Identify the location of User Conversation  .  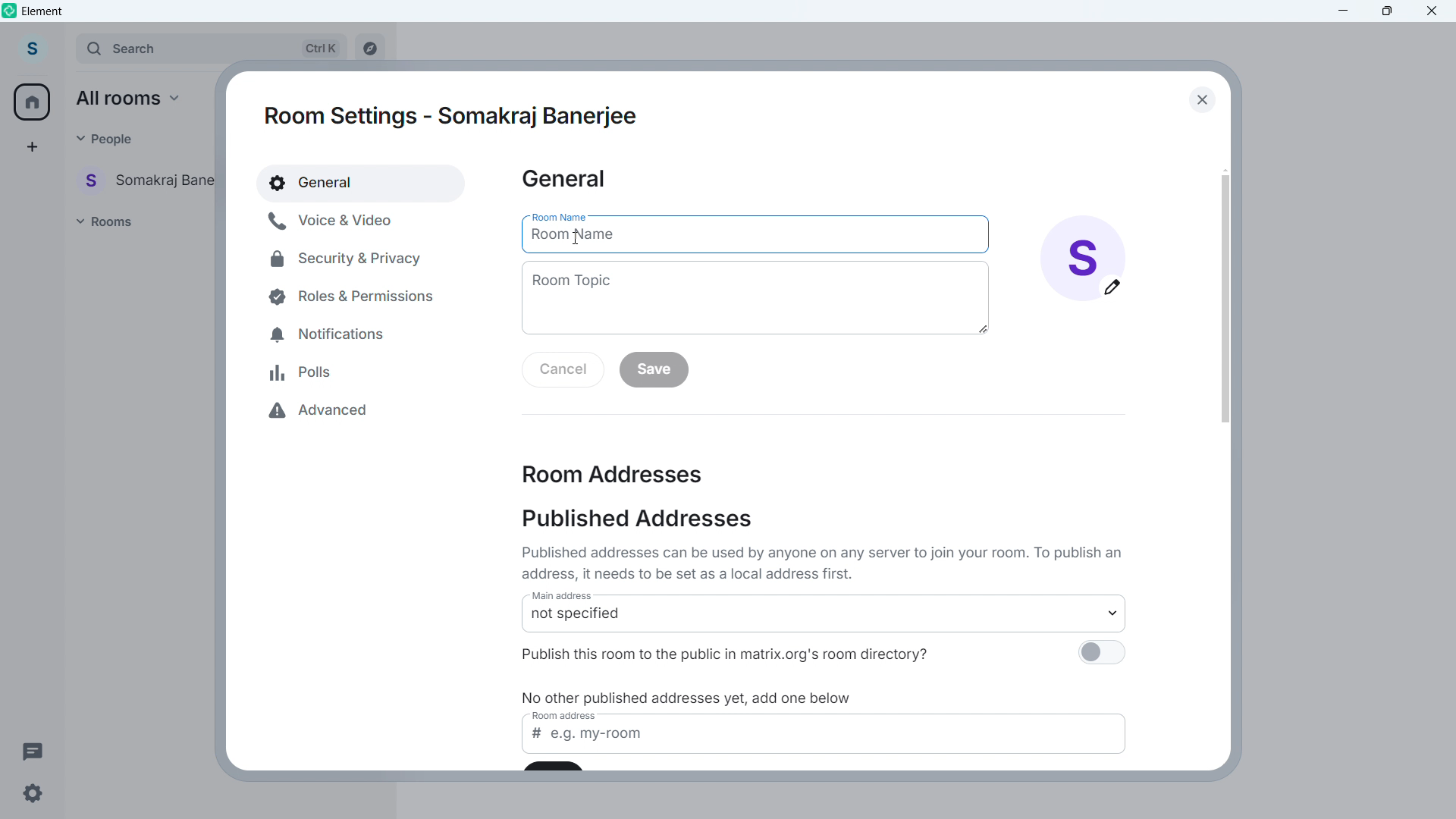
(149, 179).